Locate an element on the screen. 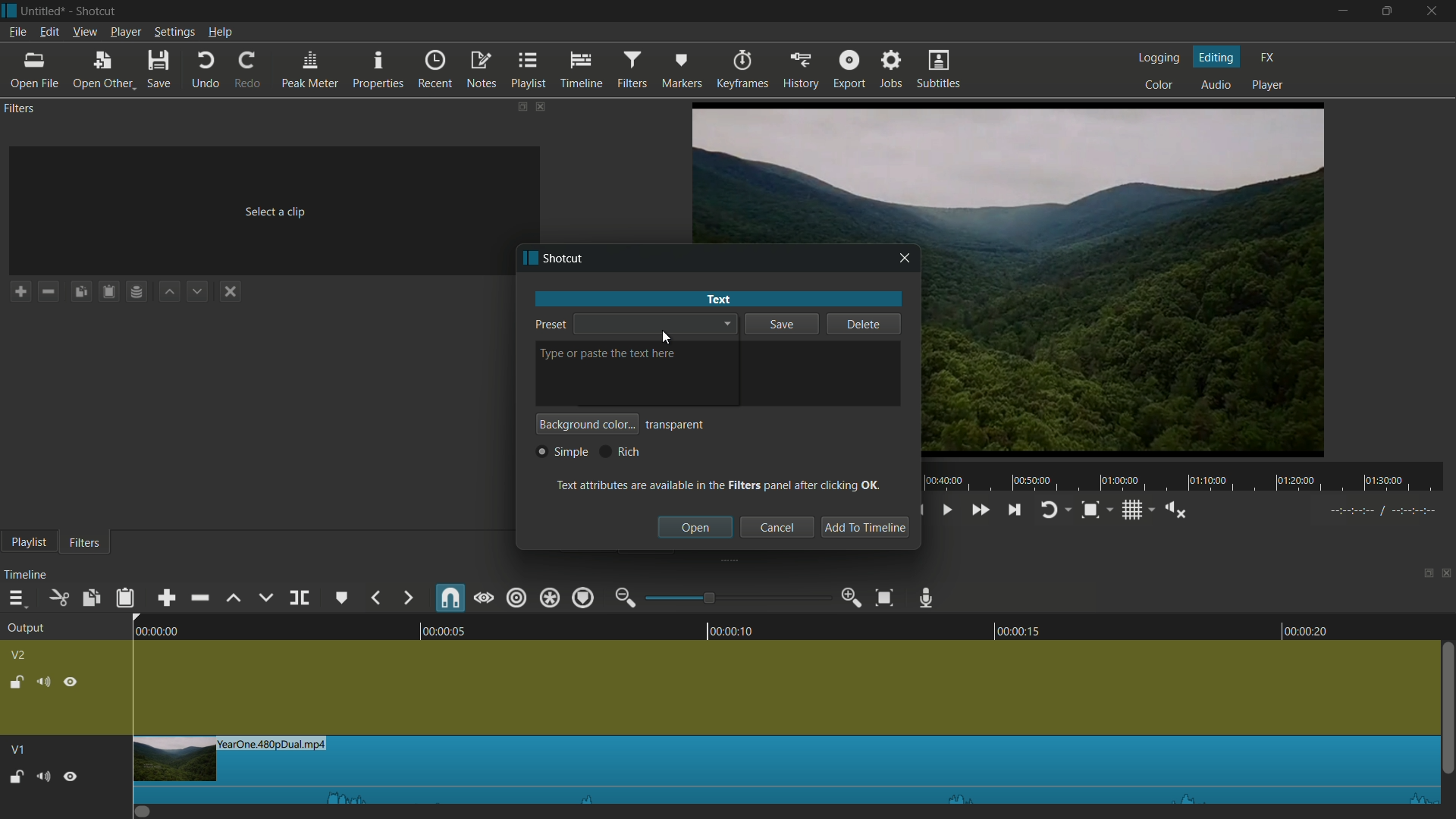 The height and width of the screenshot is (819, 1456). app icon is located at coordinates (527, 259).